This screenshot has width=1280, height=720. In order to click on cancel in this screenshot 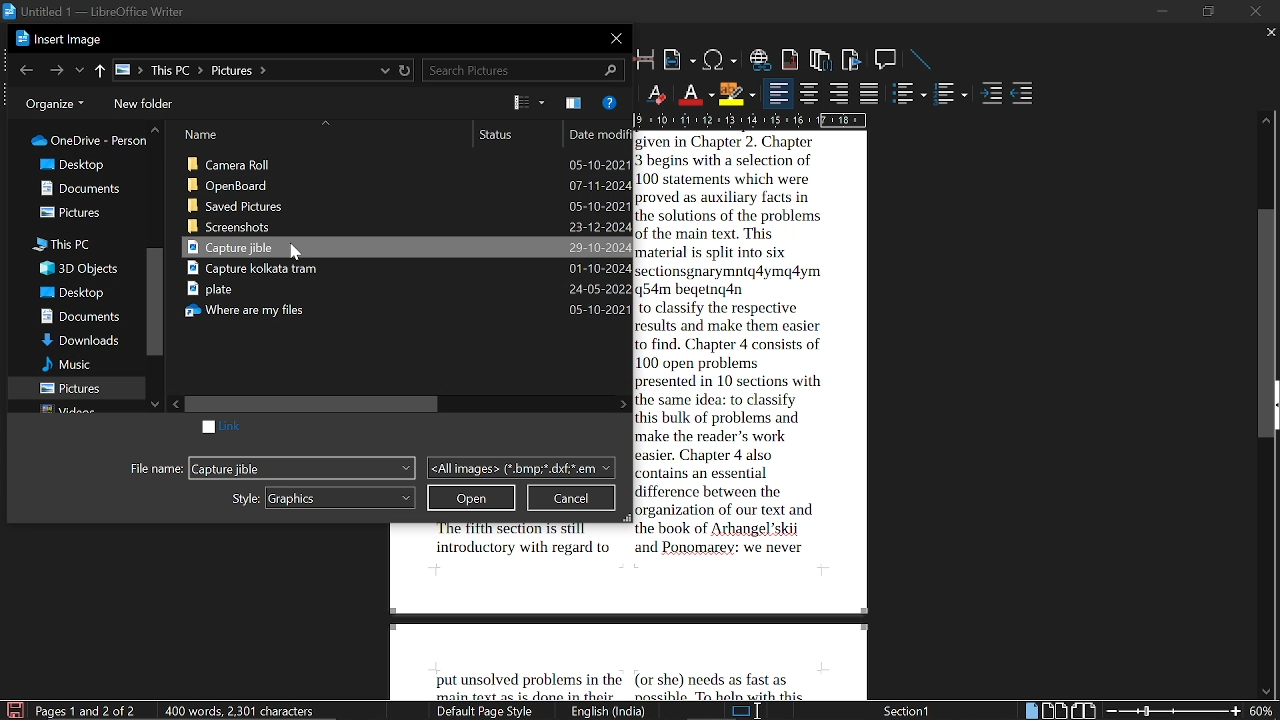, I will do `click(574, 498)`.